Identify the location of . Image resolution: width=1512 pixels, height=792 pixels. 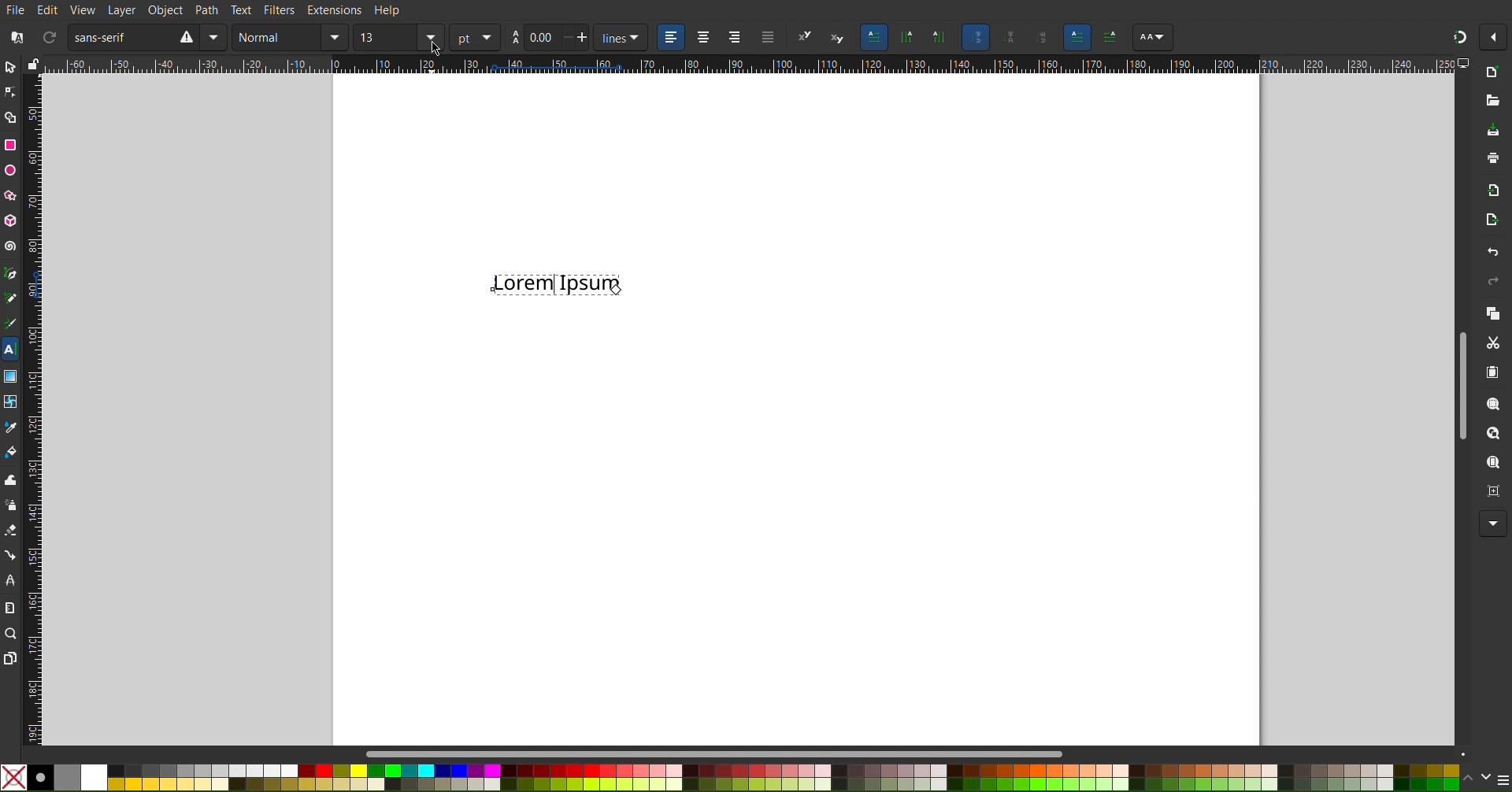
(1110, 38).